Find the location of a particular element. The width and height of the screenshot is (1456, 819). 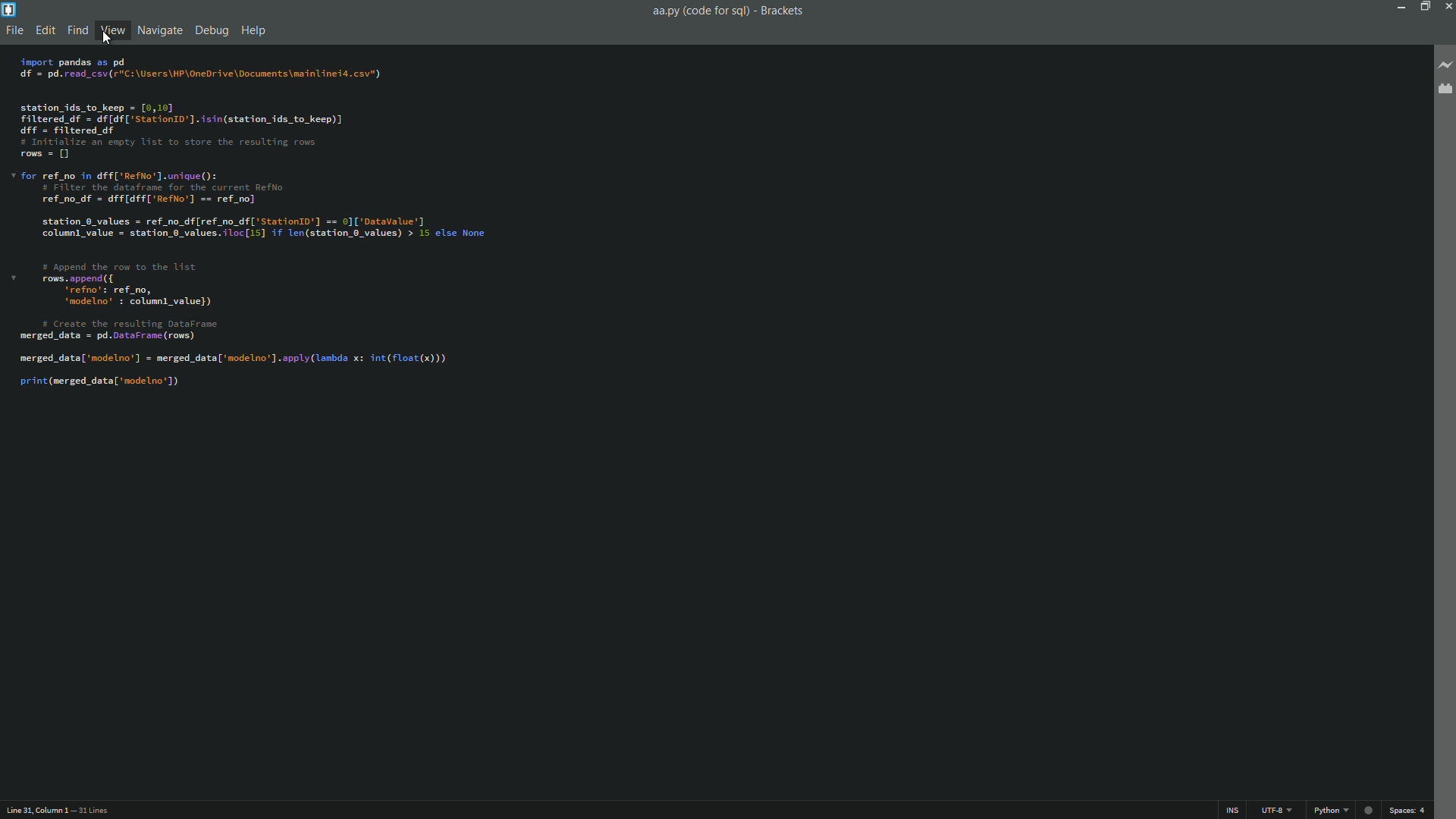

find menu is located at coordinates (76, 30).